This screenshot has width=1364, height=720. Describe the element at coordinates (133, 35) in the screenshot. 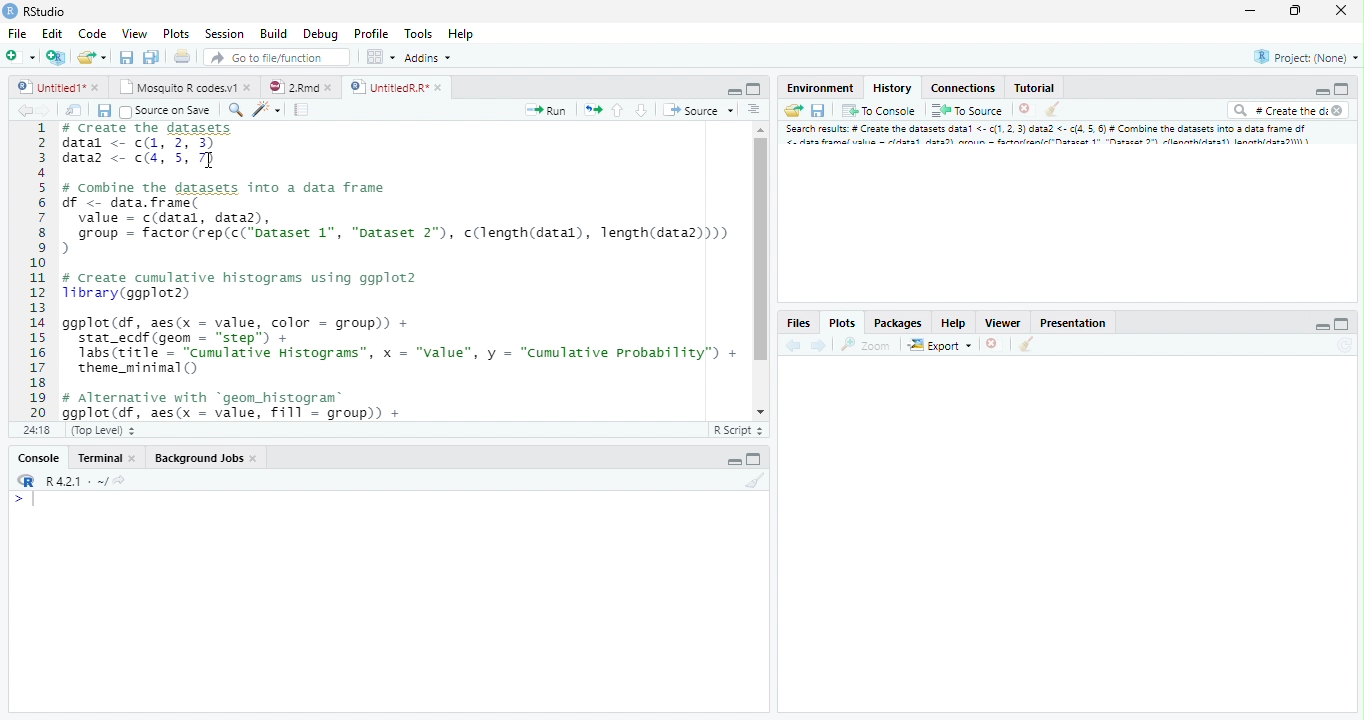

I see `View` at that location.